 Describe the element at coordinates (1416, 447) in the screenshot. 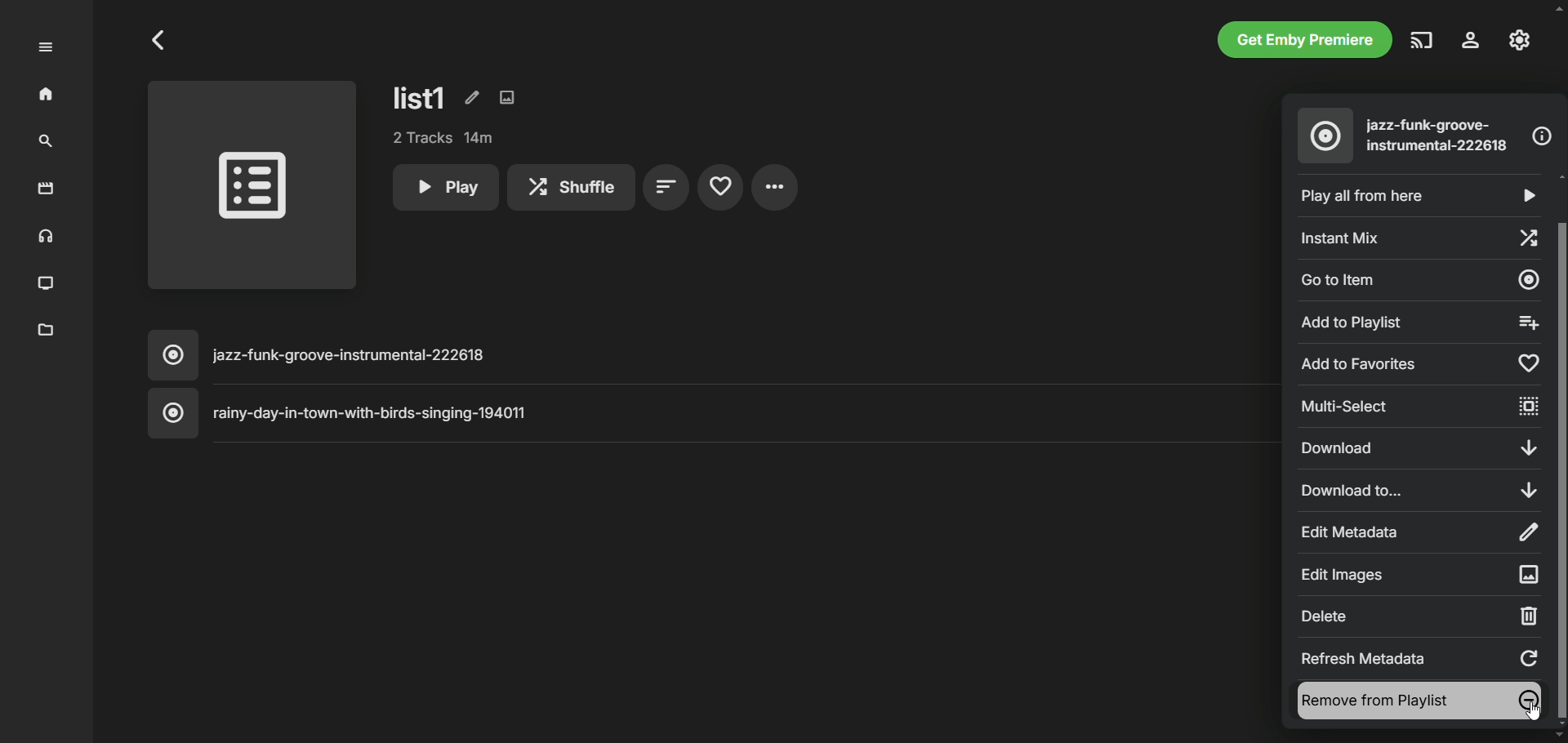

I see `download` at that location.